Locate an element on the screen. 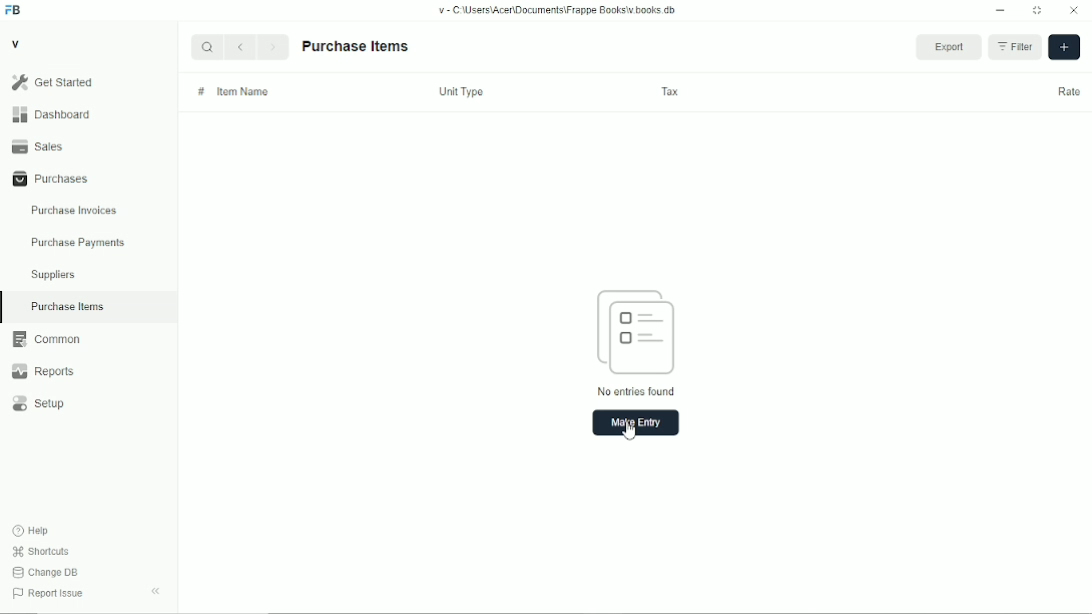  item name is located at coordinates (242, 91).